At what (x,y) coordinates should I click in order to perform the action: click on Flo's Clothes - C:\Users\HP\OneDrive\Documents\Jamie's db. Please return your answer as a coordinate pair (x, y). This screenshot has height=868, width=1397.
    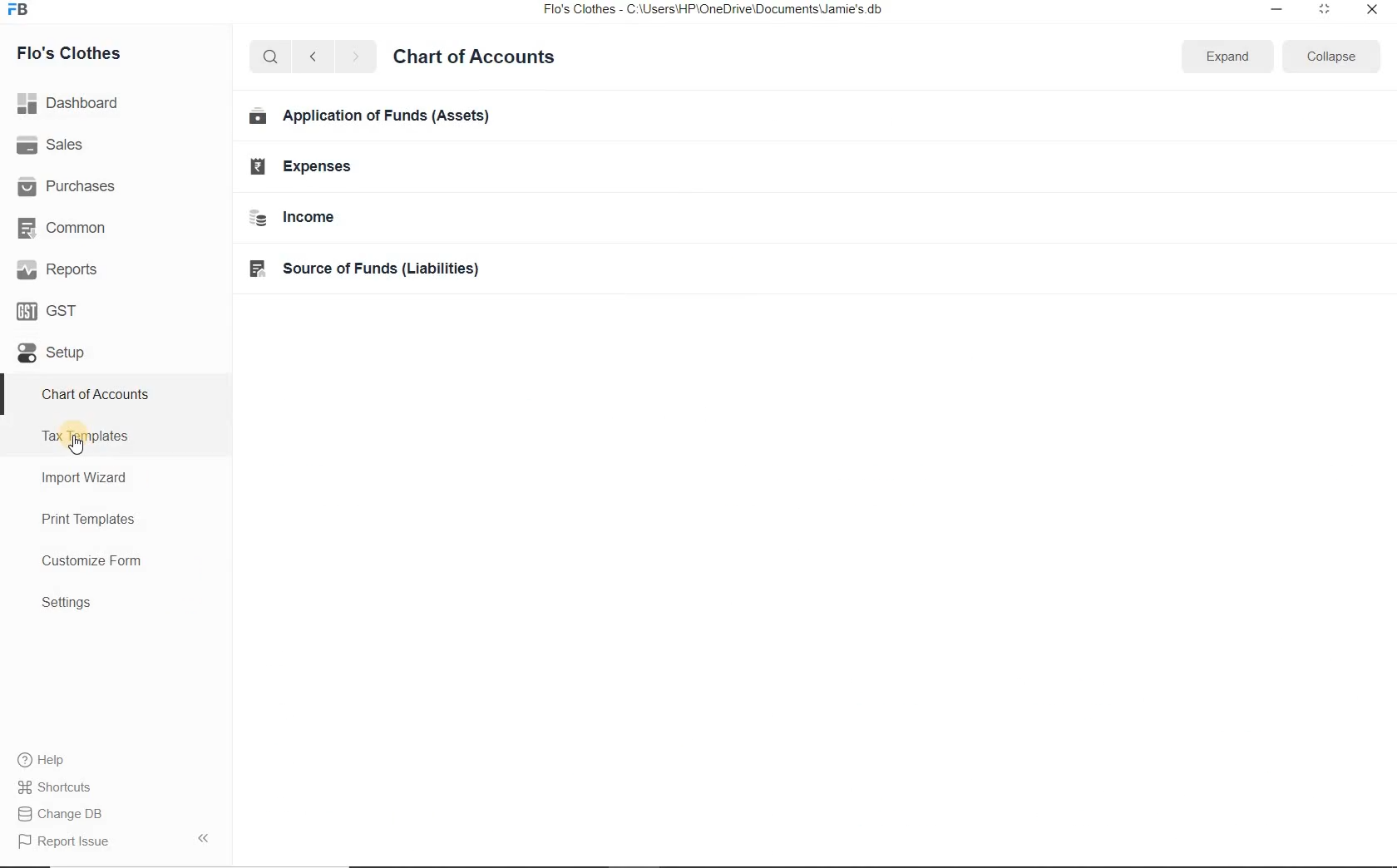
    Looking at the image, I should click on (712, 9).